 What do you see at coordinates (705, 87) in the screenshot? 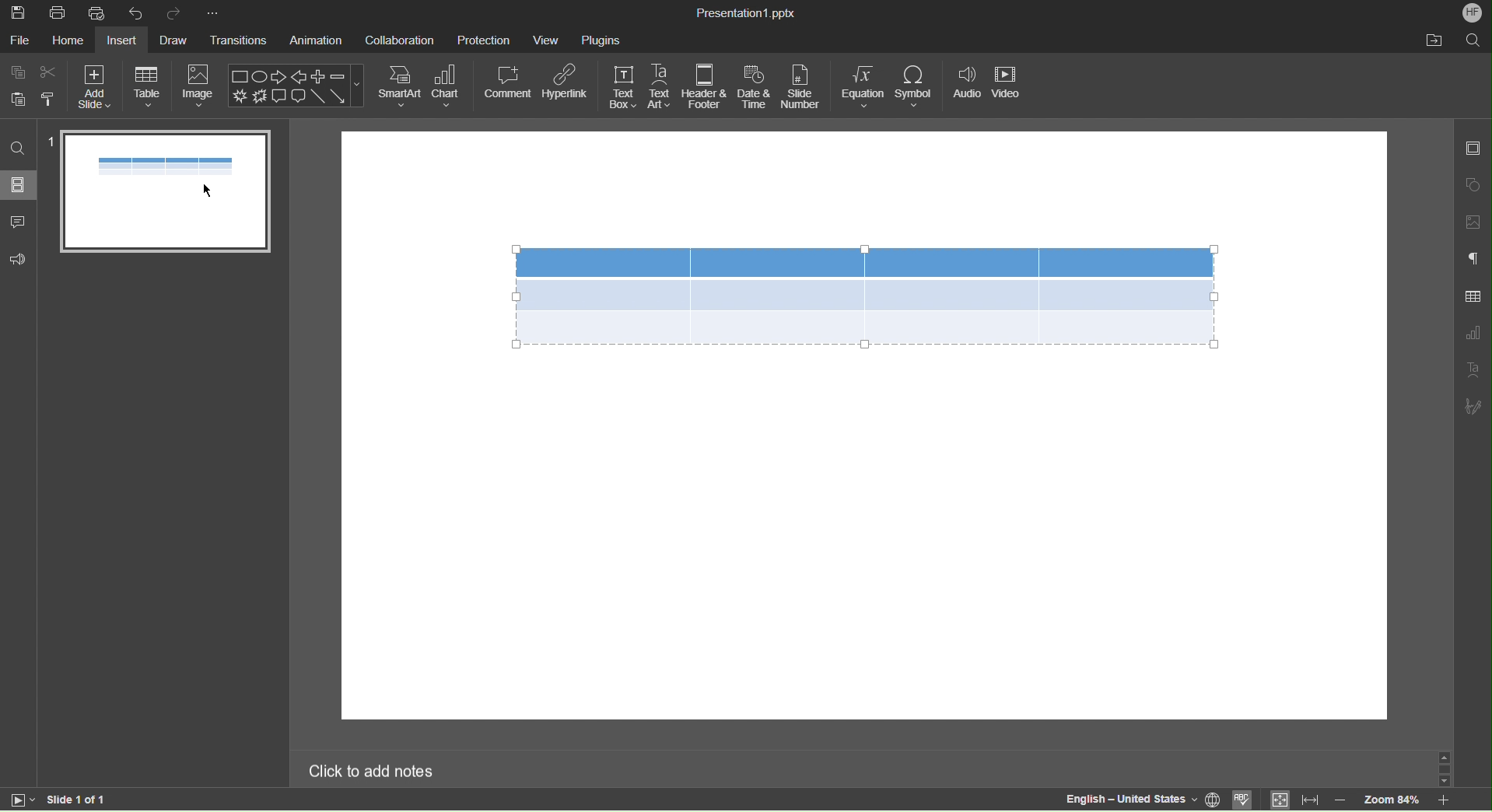
I see `Header & Footer` at bounding box center [705, 87].